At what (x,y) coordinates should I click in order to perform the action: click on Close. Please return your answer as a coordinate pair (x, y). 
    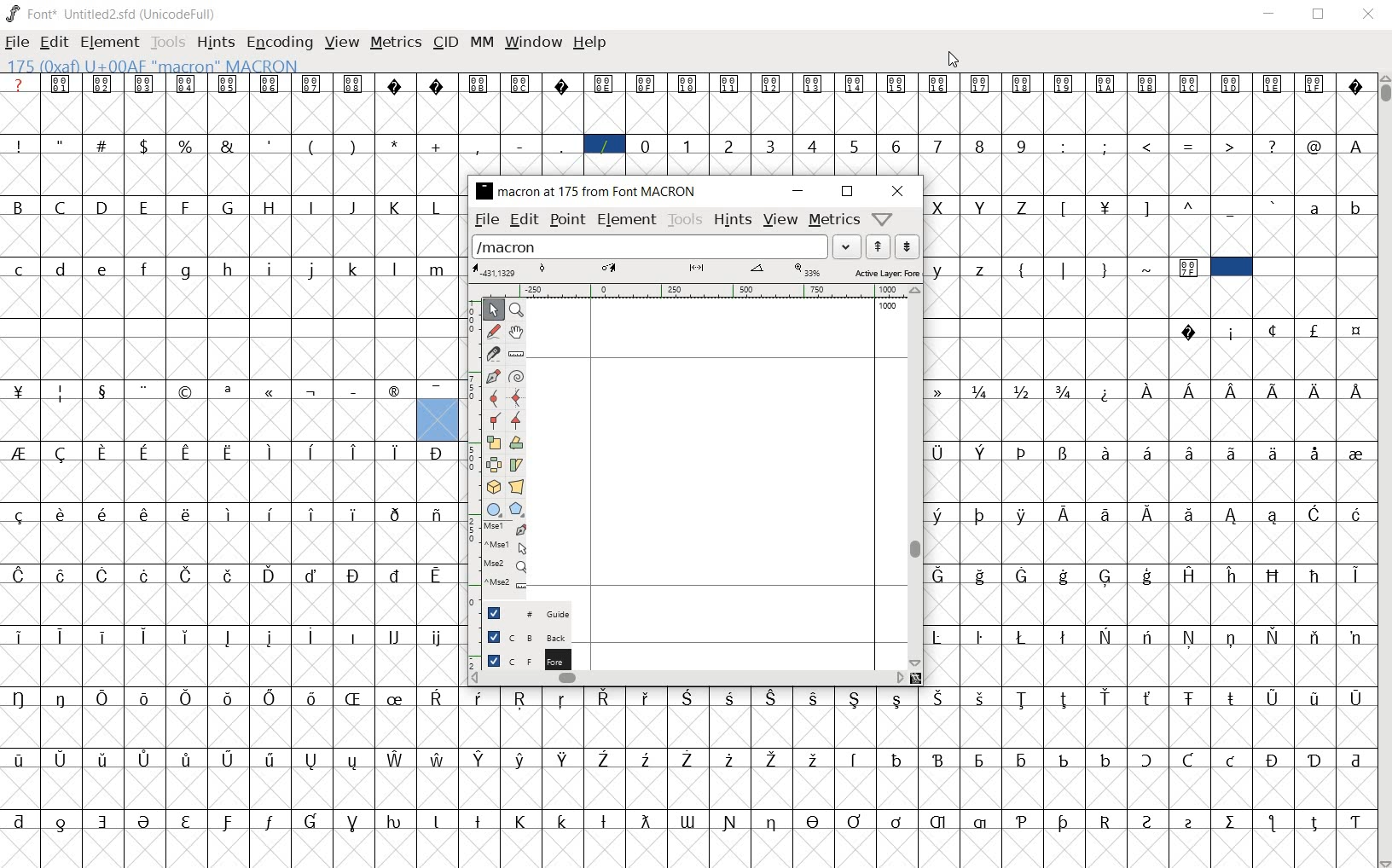
    Looking at the image, I should click on (1368, 14).